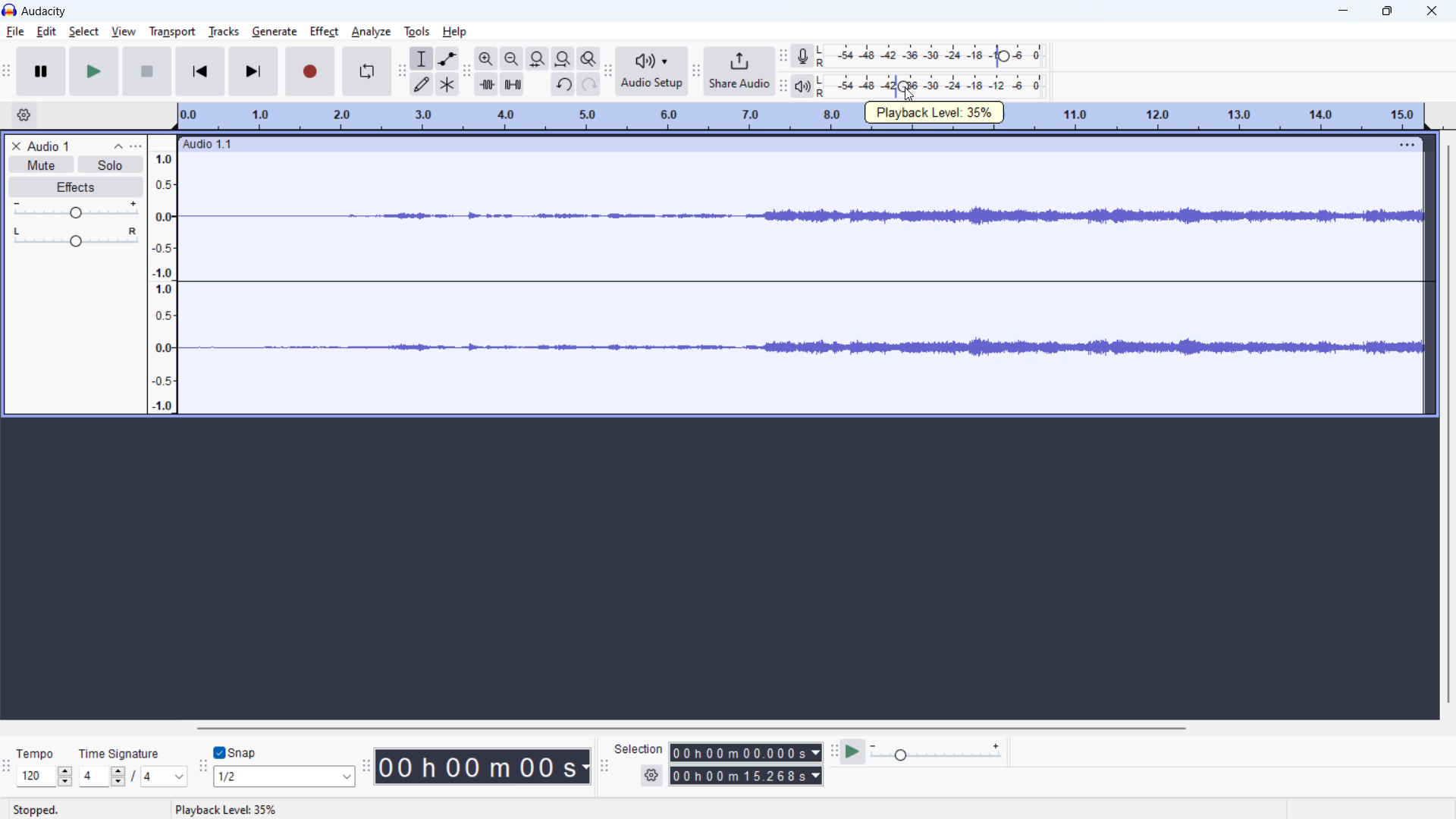  Describe the element at coordinates (417, 31) in the screenshot. I see `tools` at that location.